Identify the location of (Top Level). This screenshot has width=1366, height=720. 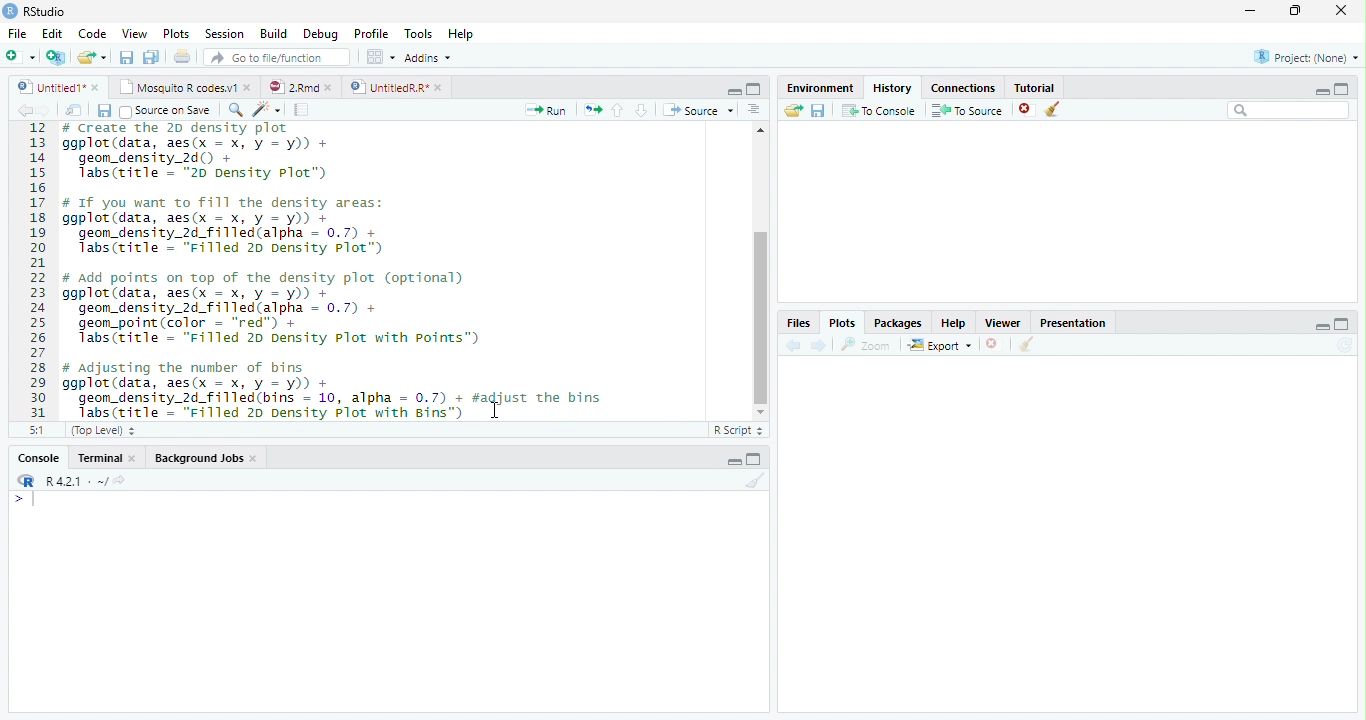
(101, 431).